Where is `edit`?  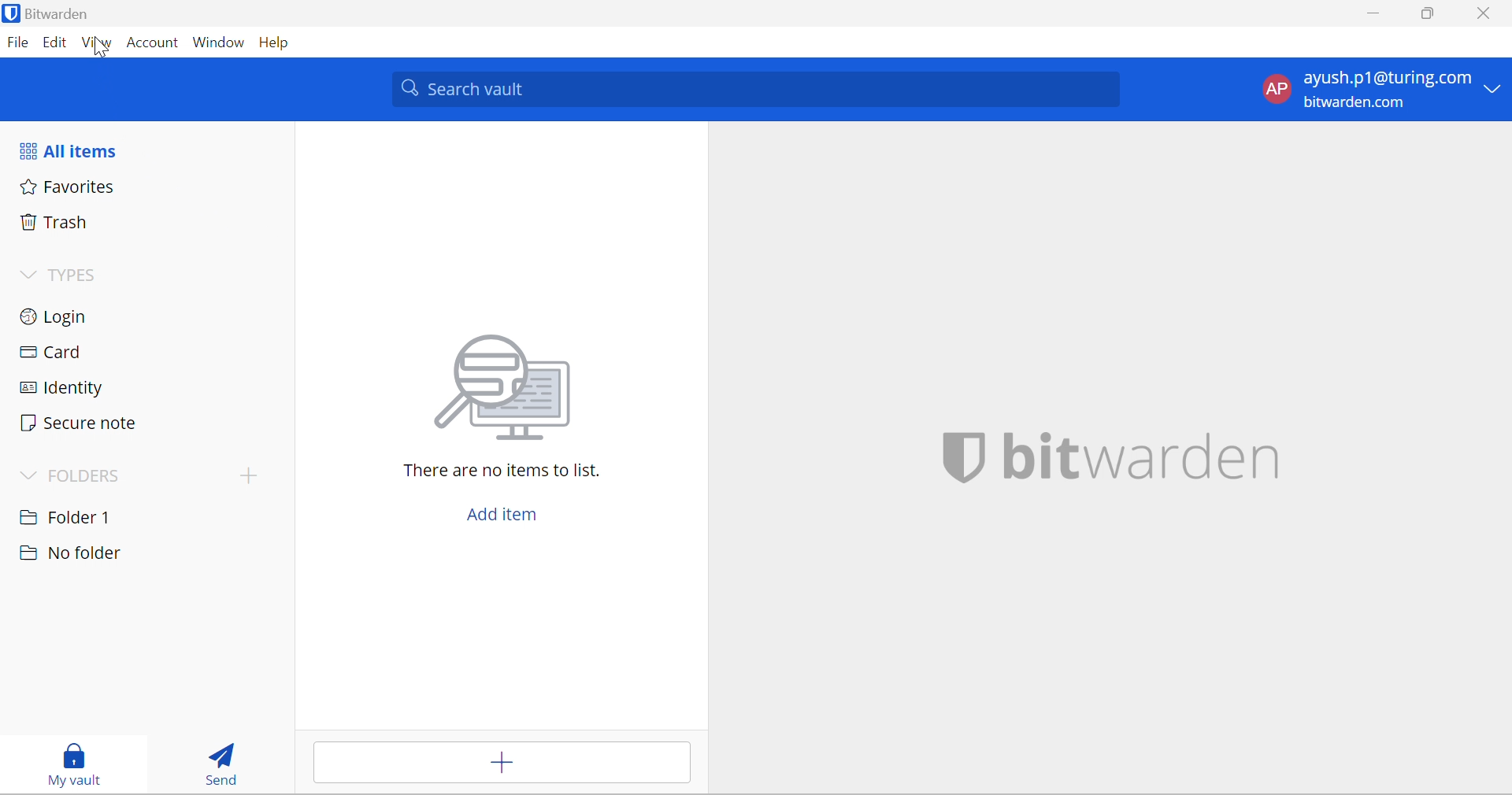
edit is located at coordinates (54, 44).